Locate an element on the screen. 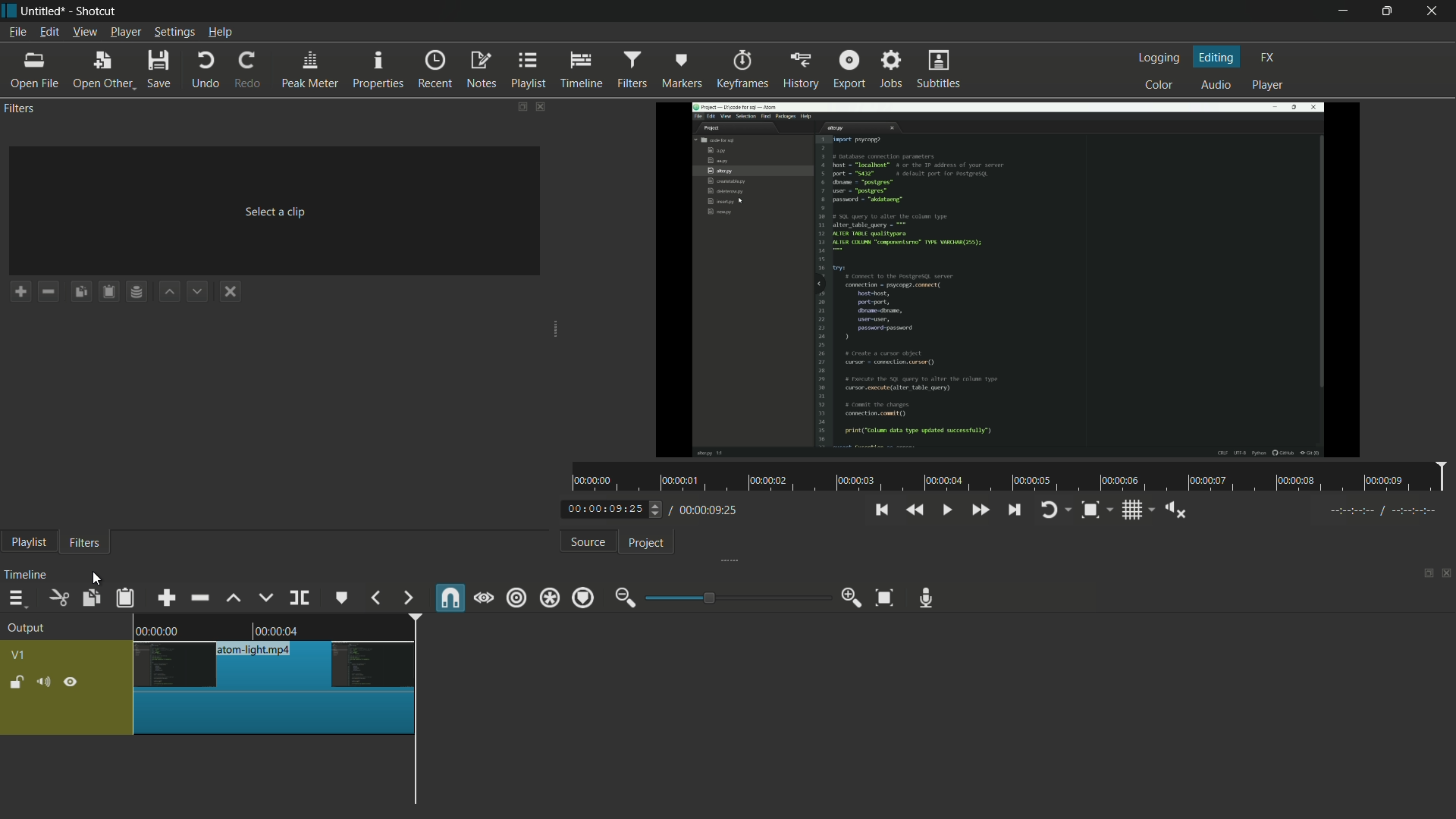  filters is located at coordinates (85, 544).